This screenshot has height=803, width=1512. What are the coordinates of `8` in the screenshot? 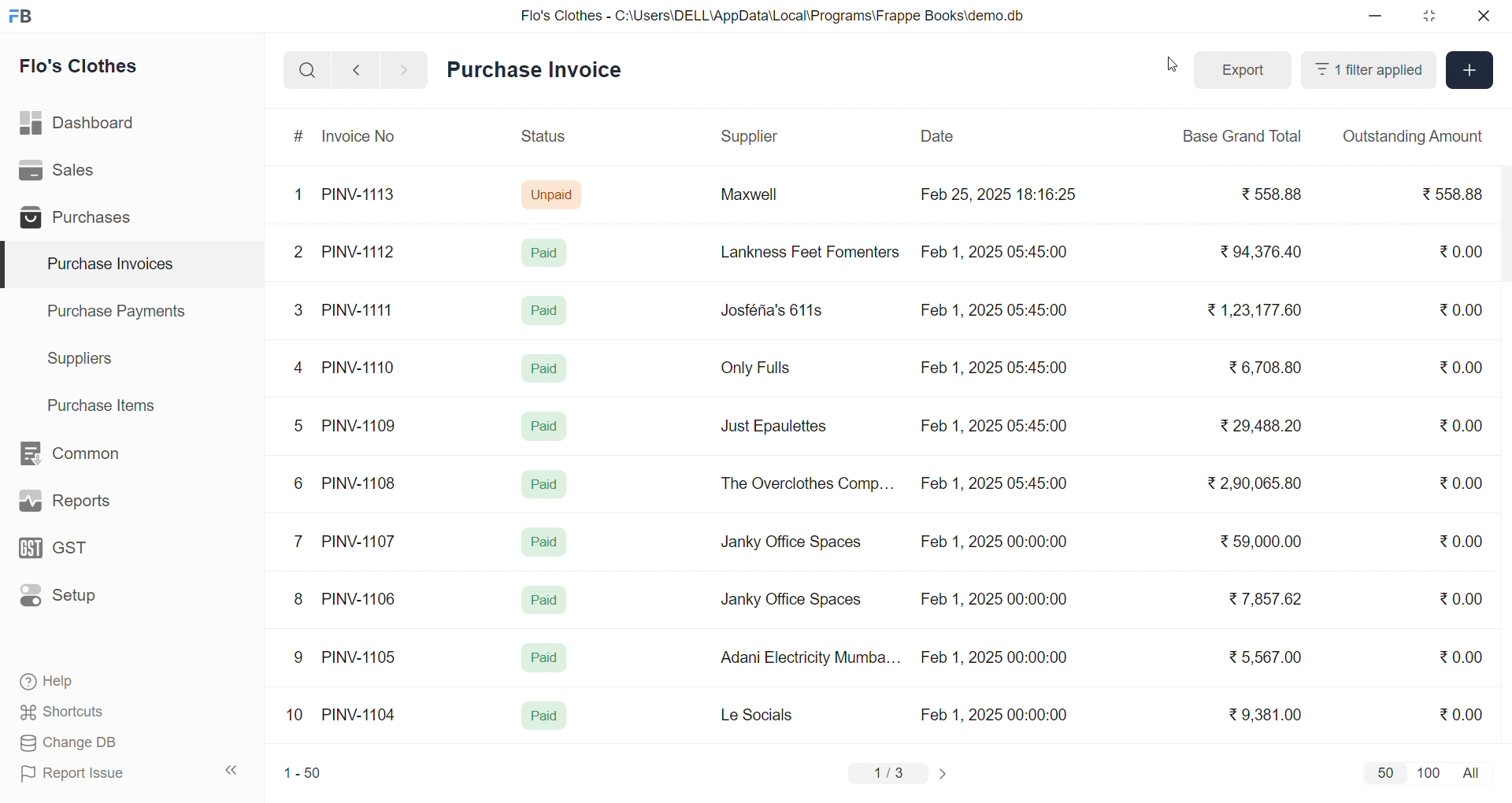 It's located at (299, 601).